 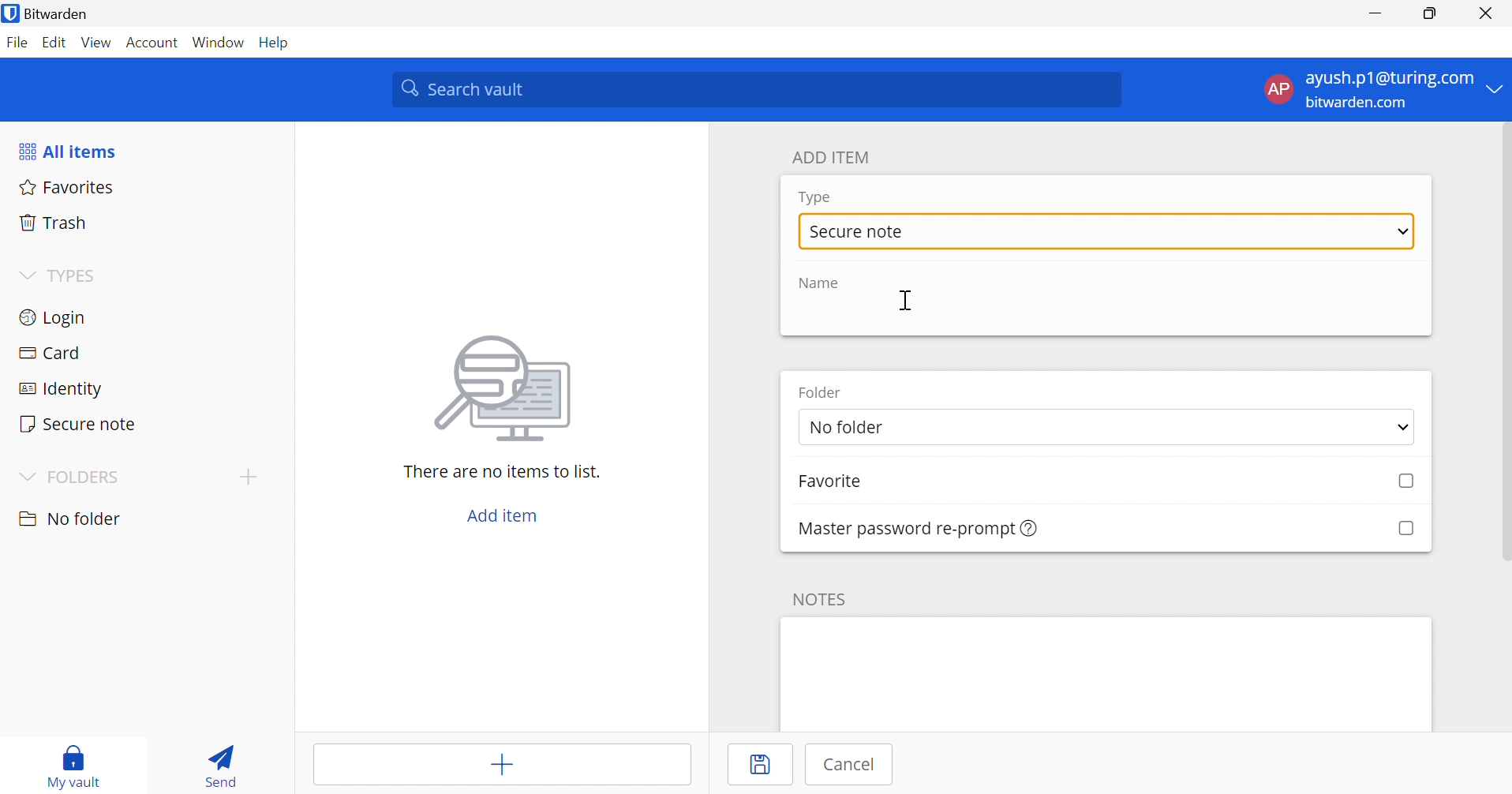 I want to click on image, so click(x=508, y=388).